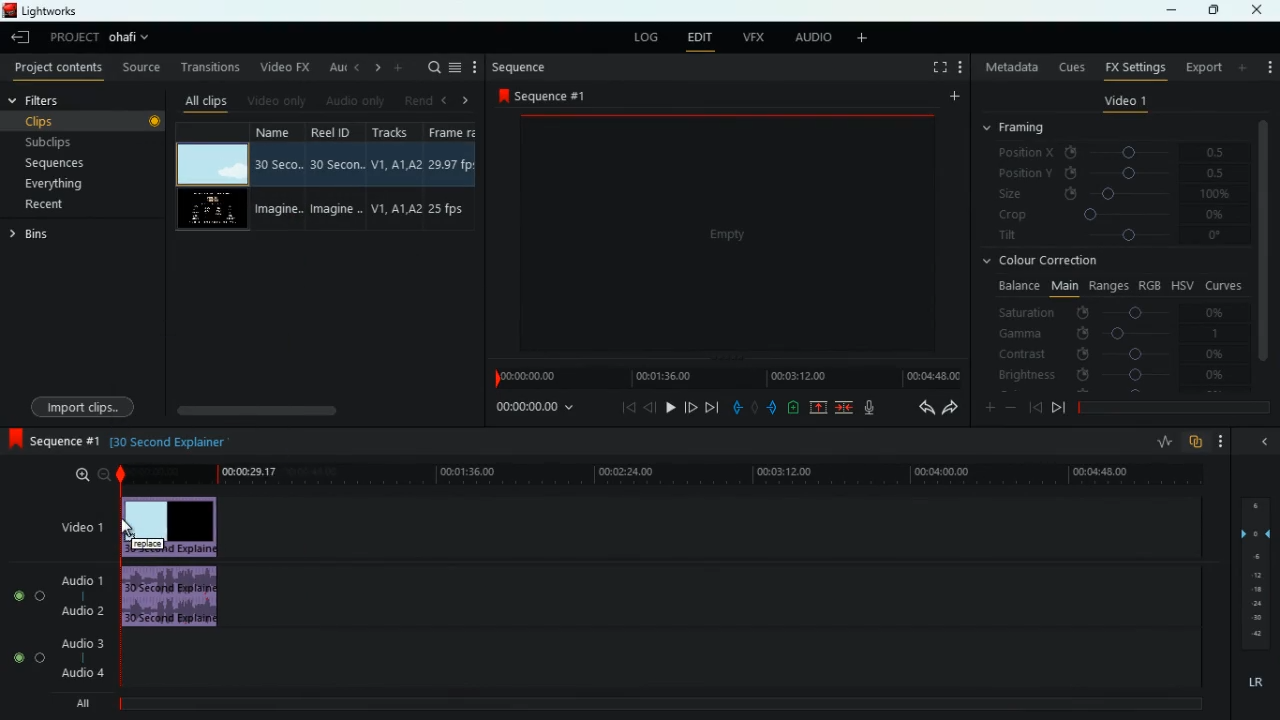 This screenshot has width=1280, height=720. Describe the element at coordinates (211, 210) in the screenshot. I see `screen` at that location.